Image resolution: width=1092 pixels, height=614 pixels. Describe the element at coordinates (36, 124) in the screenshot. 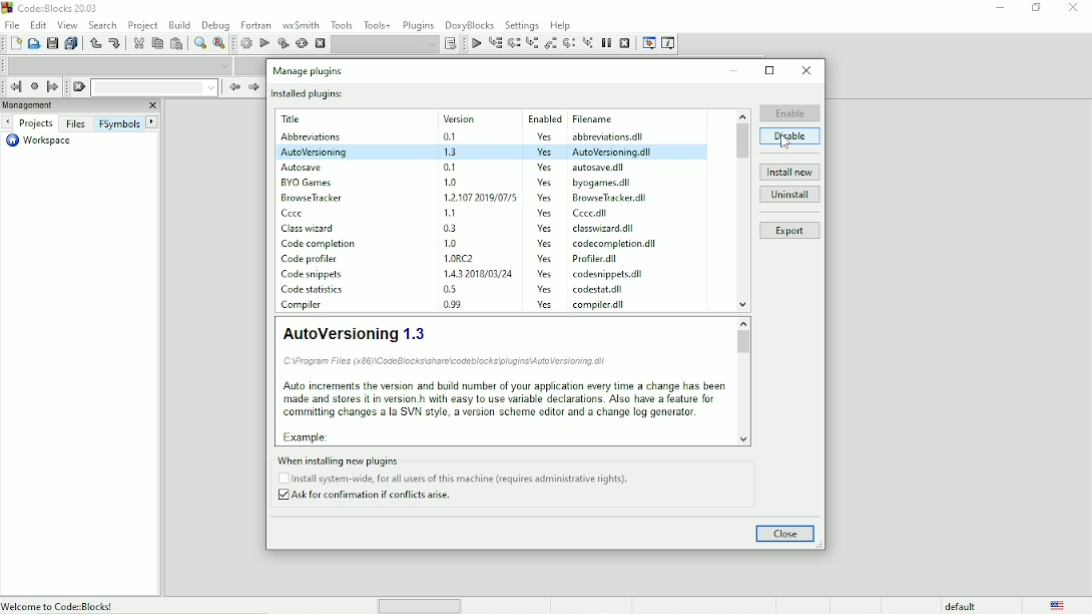

I see `Projects` at that location.